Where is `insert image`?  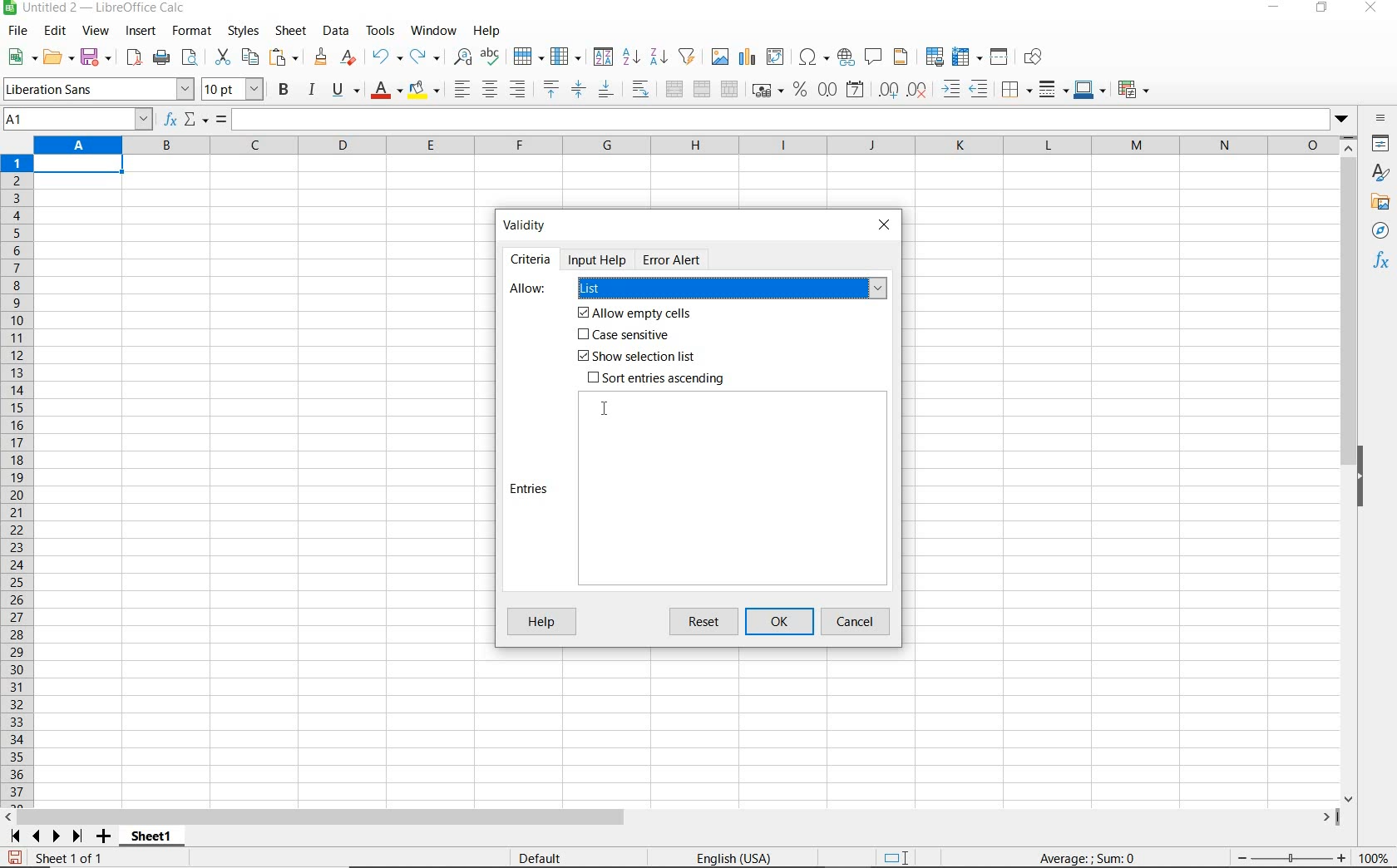 insert image is located at coordinates (722, 57).